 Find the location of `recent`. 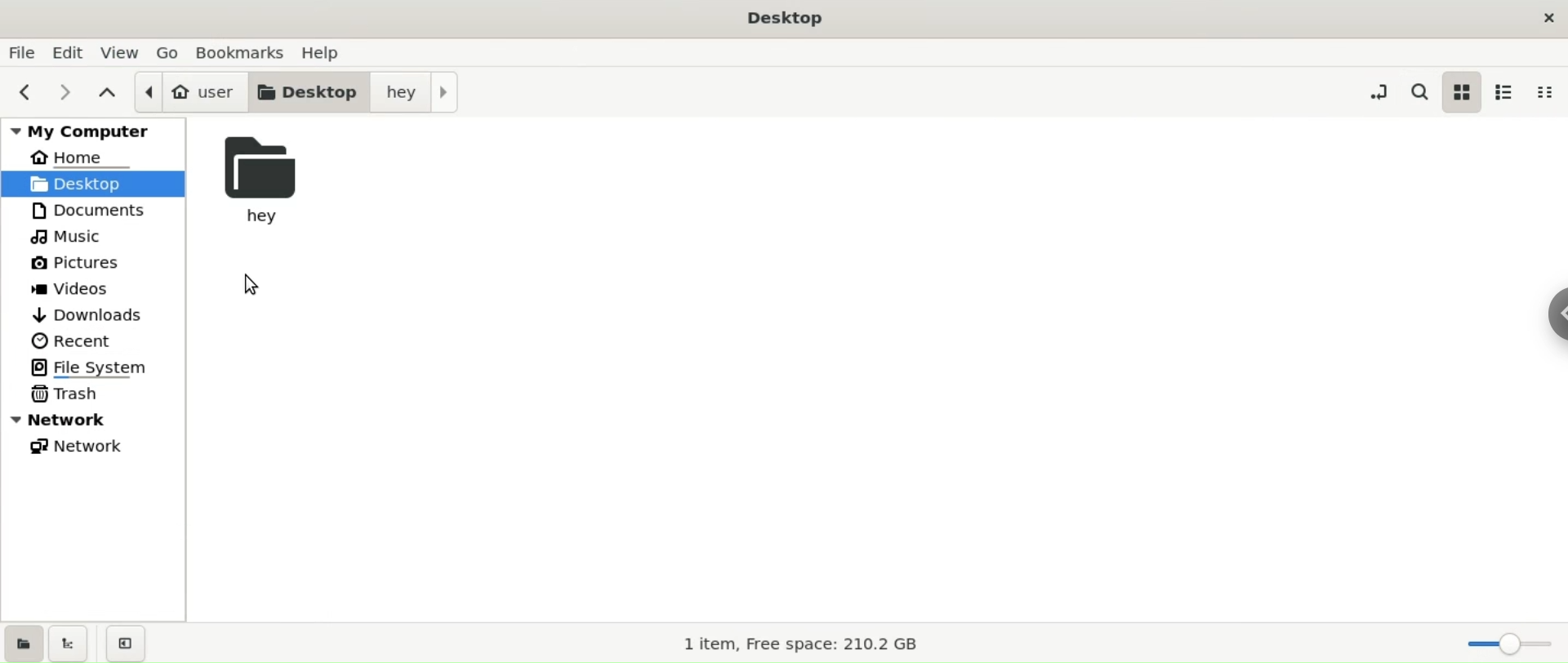

recent is located at coordinates (104, 340).